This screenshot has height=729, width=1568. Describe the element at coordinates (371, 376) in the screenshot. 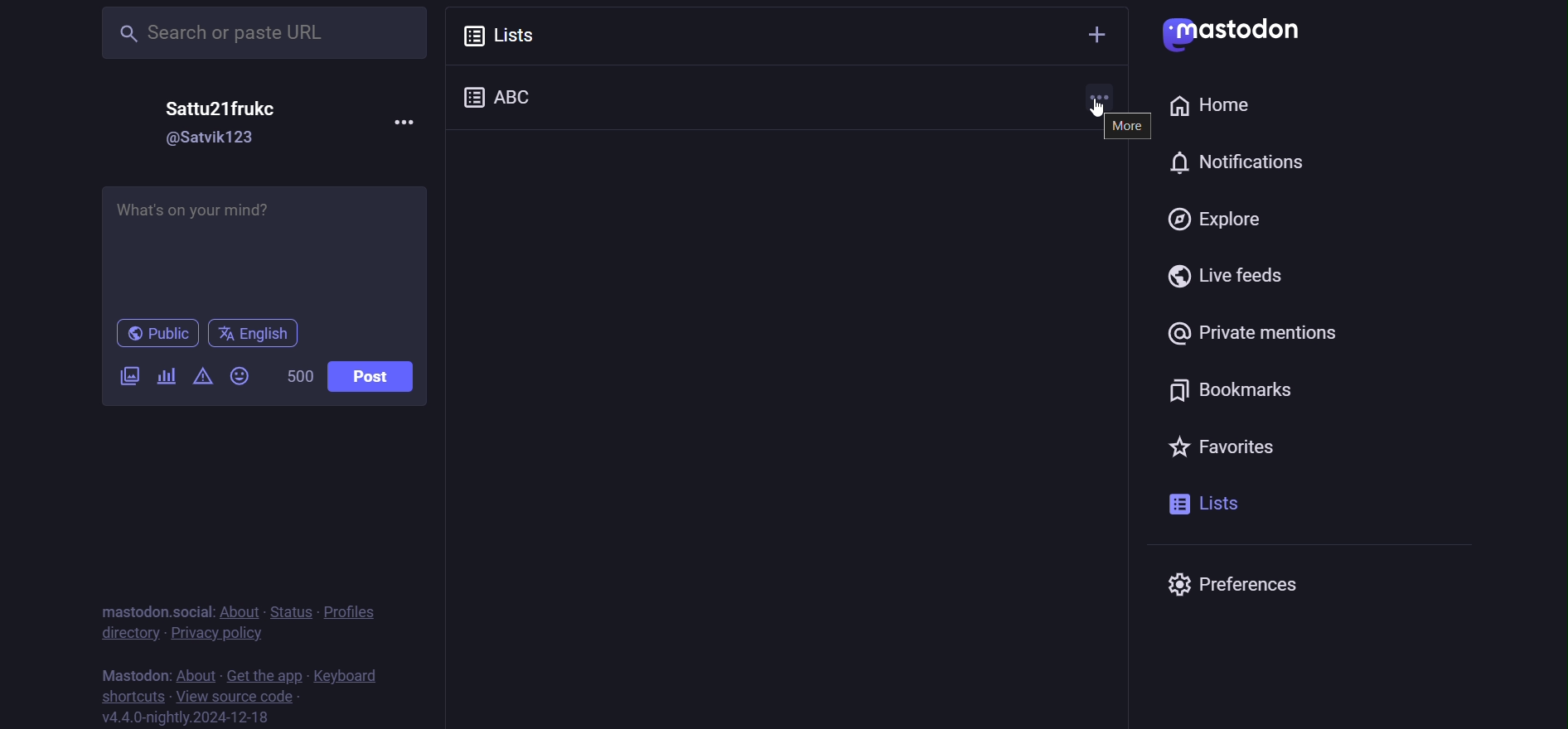

I see `post` at that location.